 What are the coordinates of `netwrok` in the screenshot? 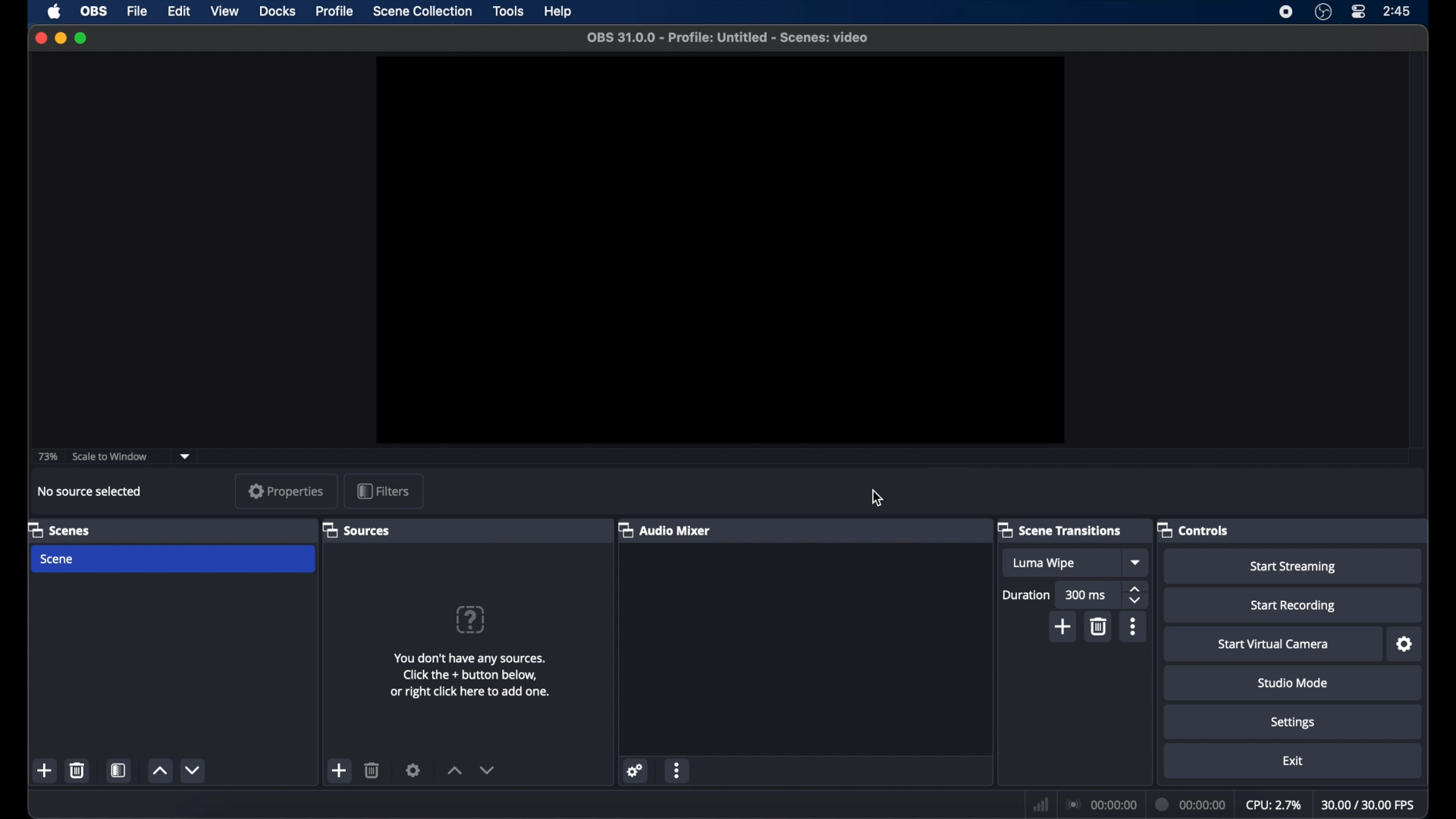 It's located at (1040, 804).